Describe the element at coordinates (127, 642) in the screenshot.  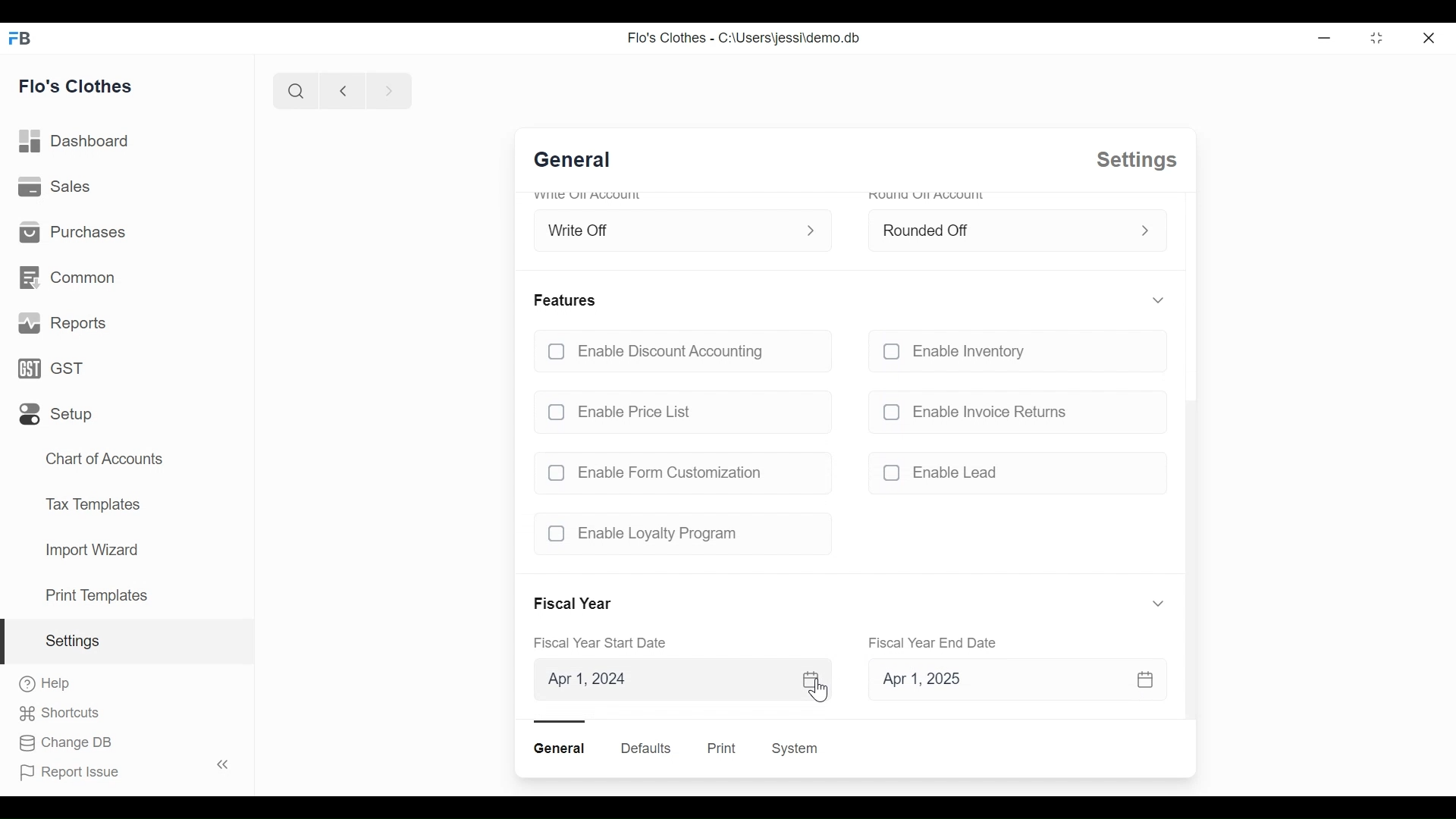
I see `Settings` at that location.